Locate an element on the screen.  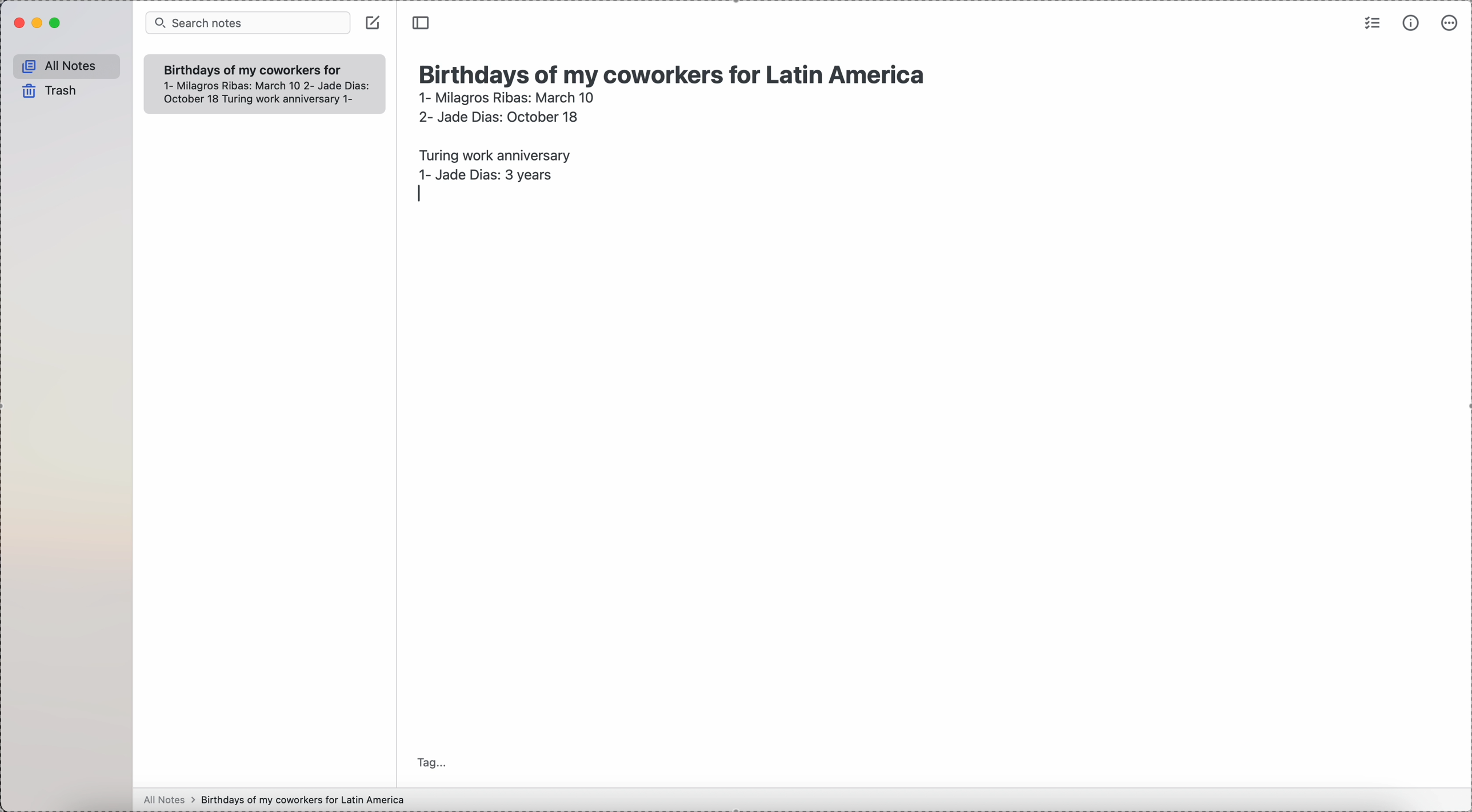
check list is located at coordinates (1371, 22).